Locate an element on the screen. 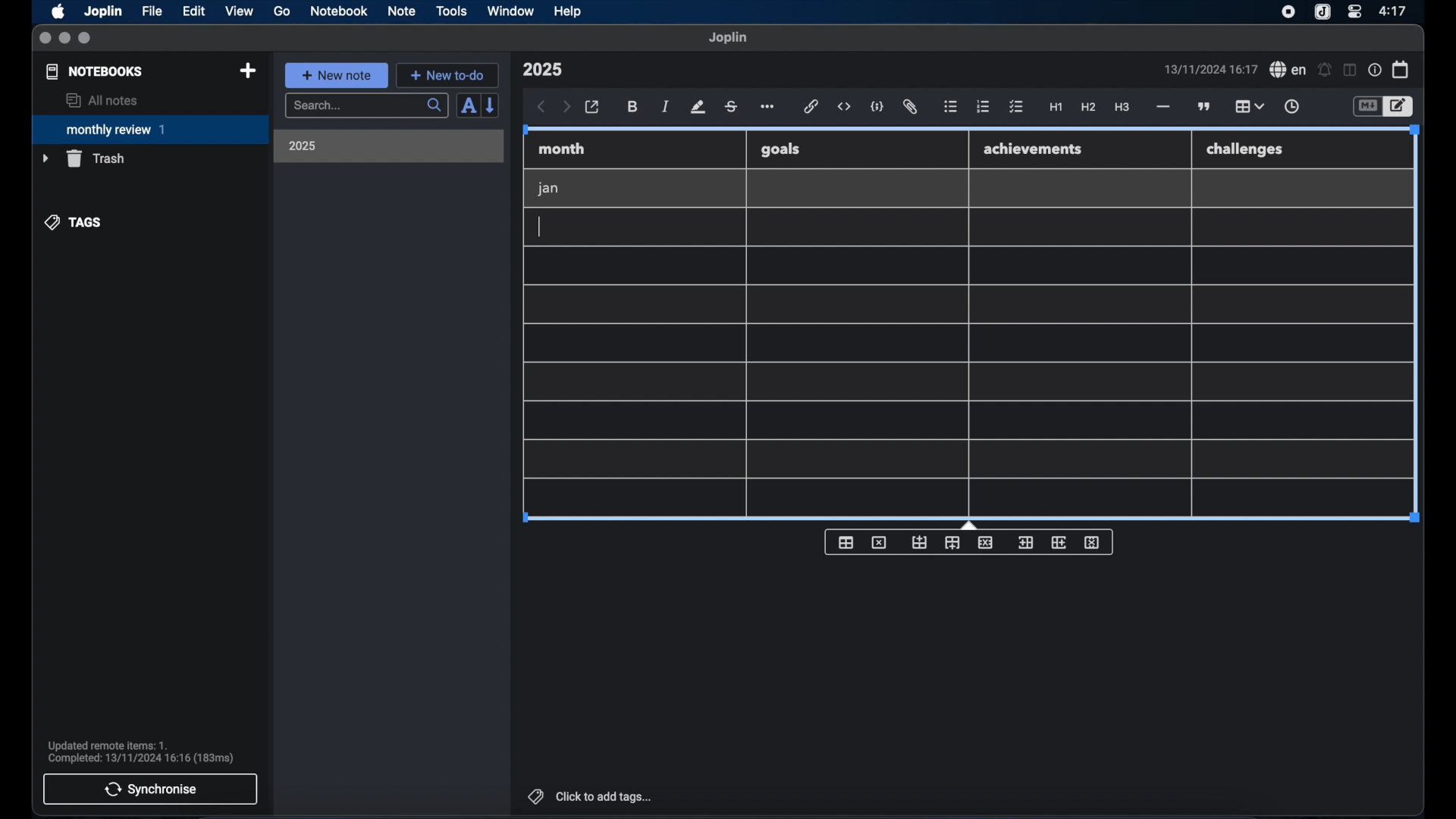 The image size is (1456, 819). jan is located at coordinates (548, 189).